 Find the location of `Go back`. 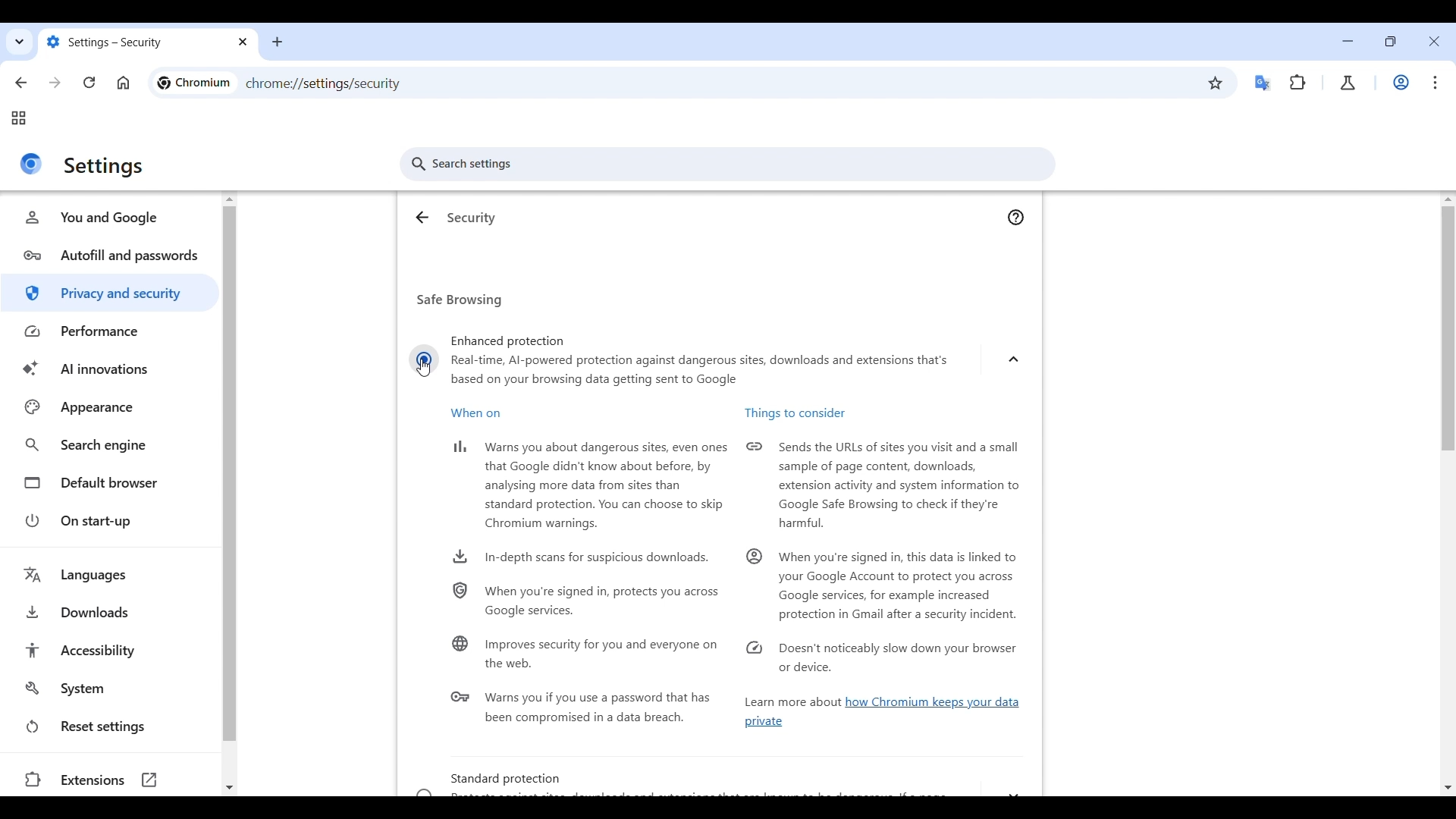

Go back is located at coordinates (22, 83).